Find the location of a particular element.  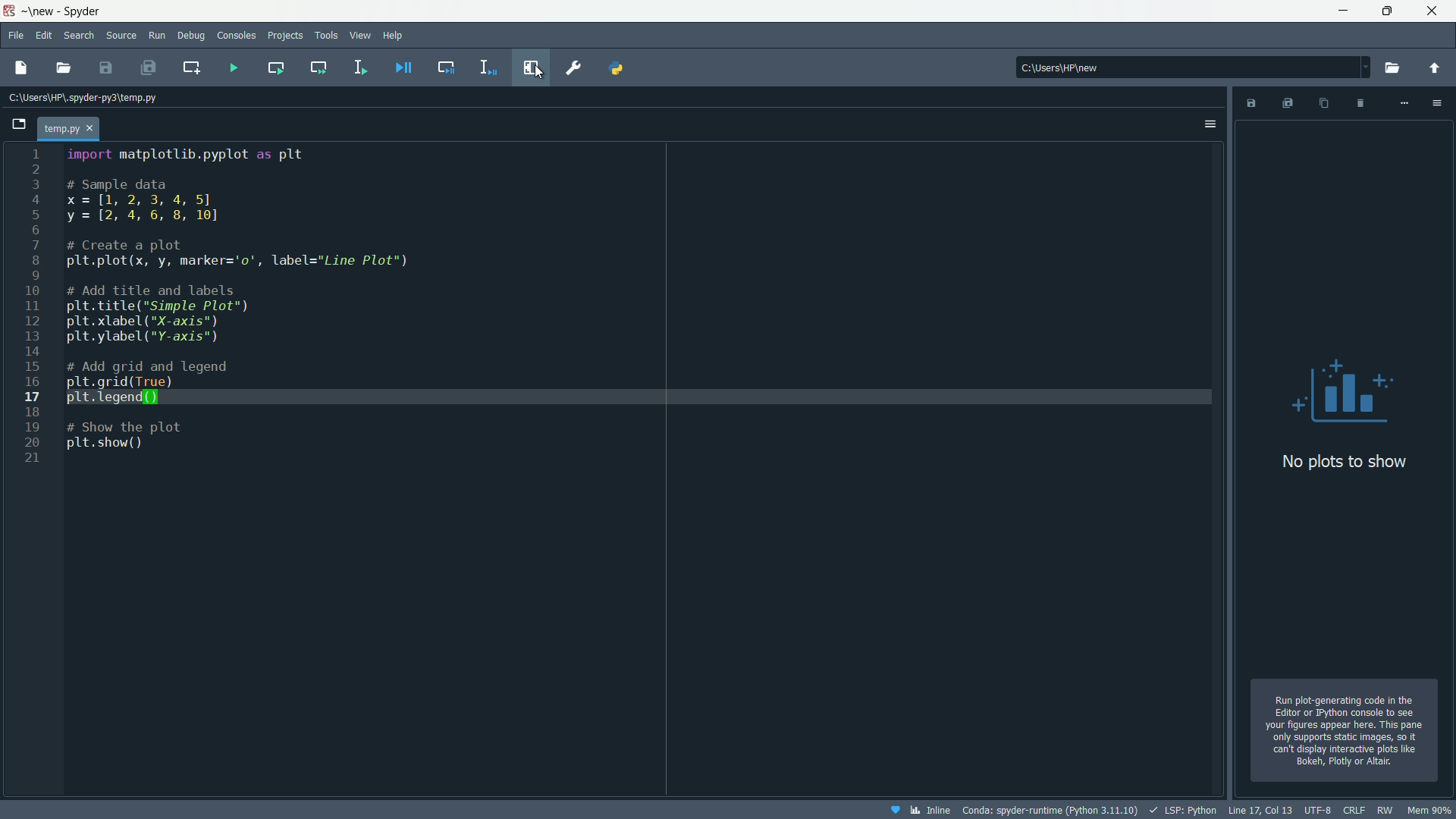

file eol status is located at coordinates (1354, 811).